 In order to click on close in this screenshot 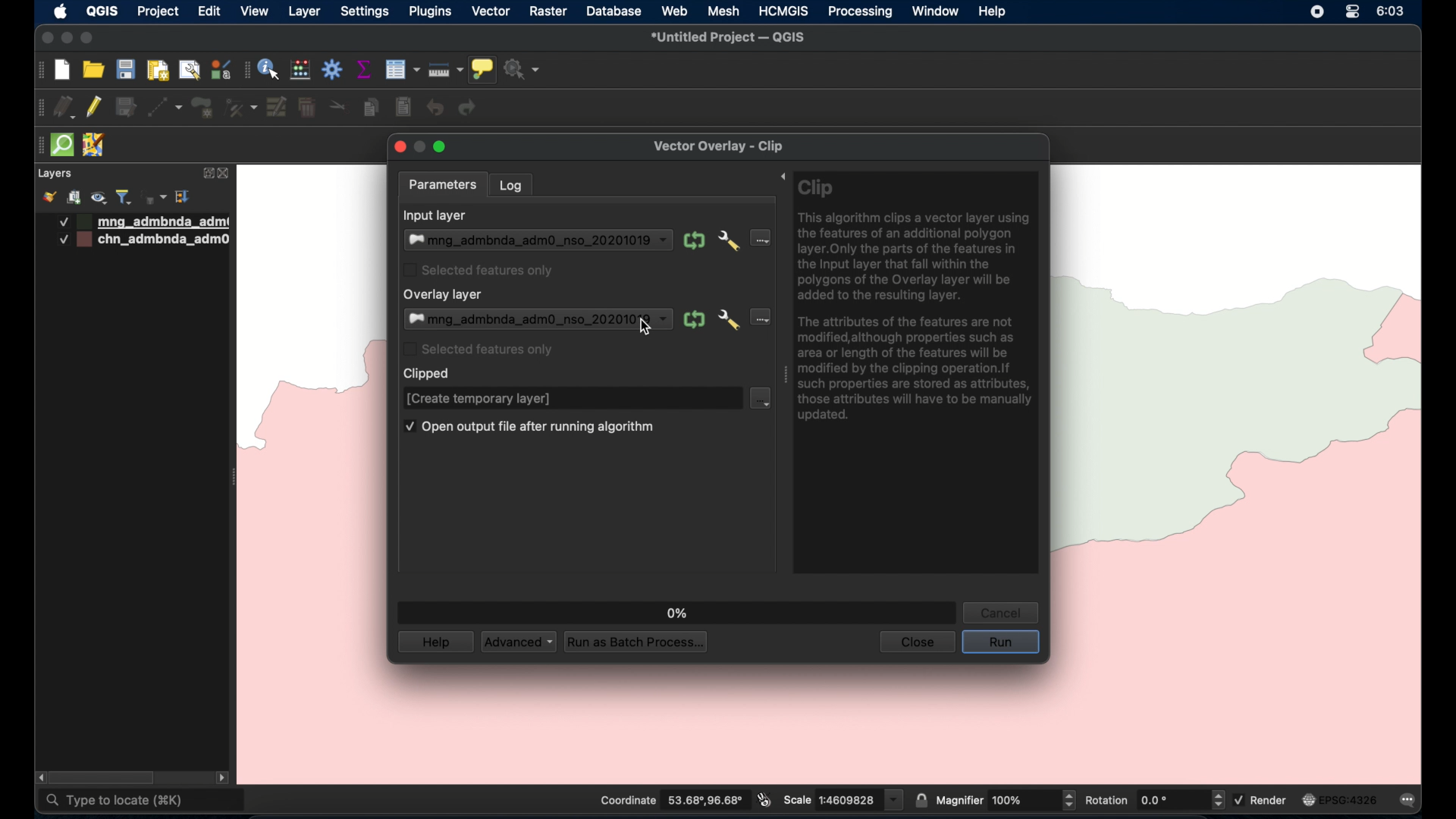, I will do `click(915, 643)`.